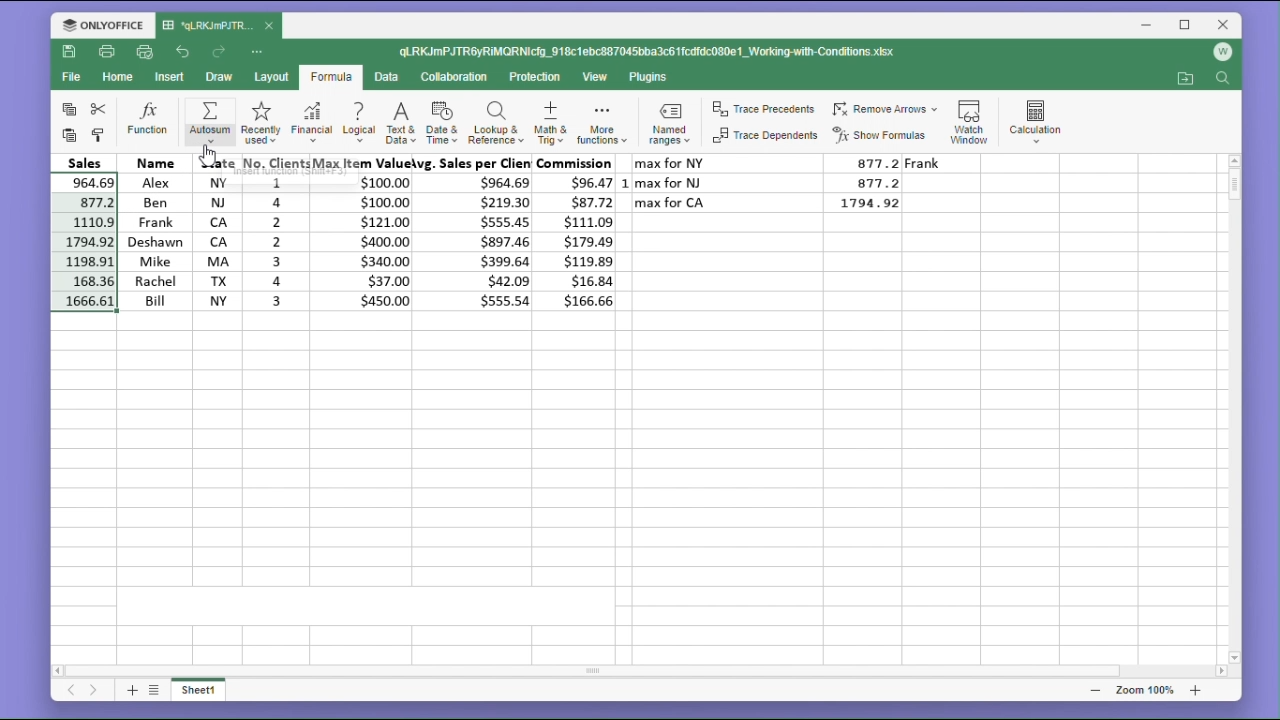 This screenshot has width=1280, height=720. What do you see at coordinates (208, 155) in the screenshot?
I see `cursor` at bounding box center [208, 155].